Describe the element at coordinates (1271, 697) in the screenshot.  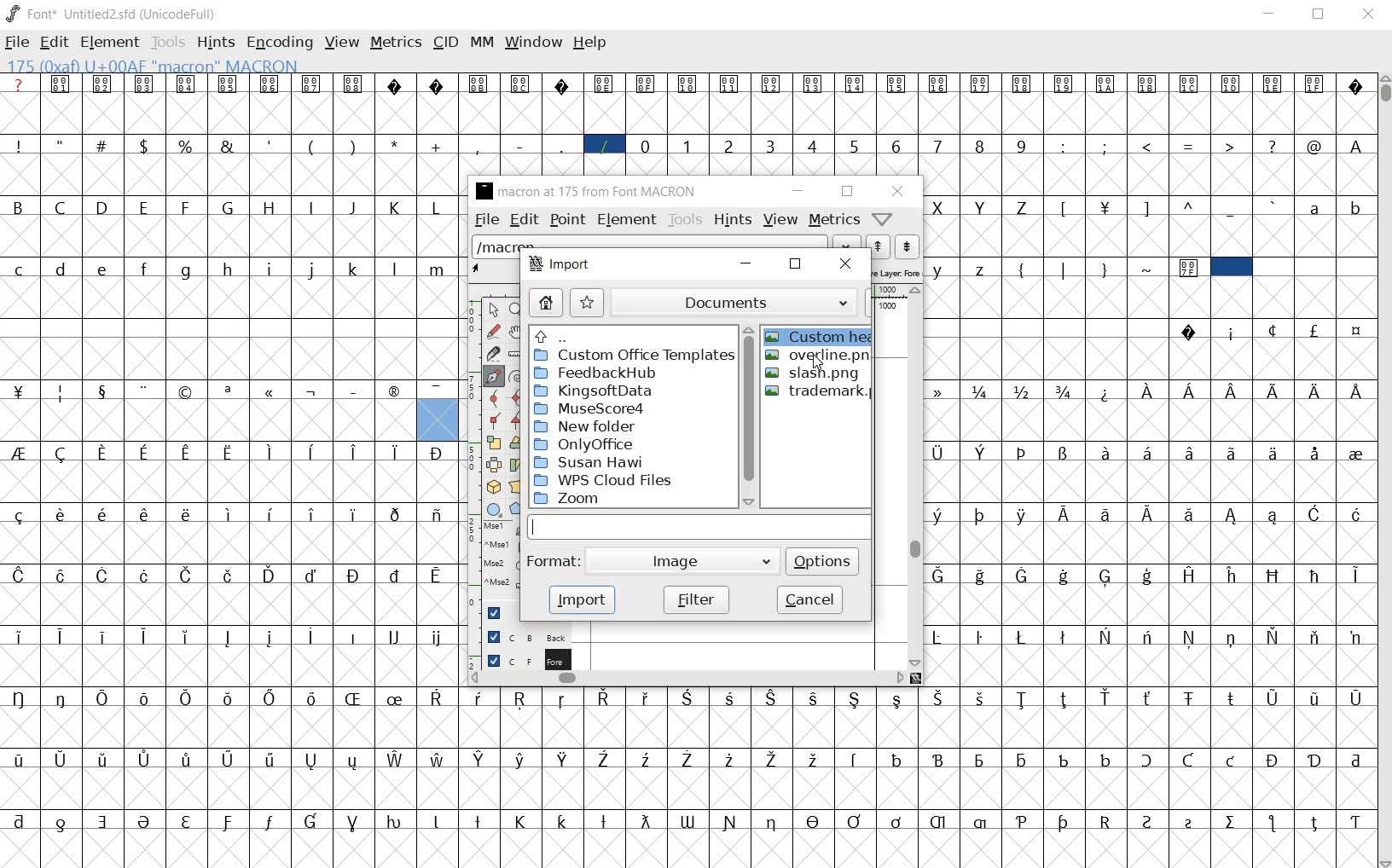
I see `` at that location.